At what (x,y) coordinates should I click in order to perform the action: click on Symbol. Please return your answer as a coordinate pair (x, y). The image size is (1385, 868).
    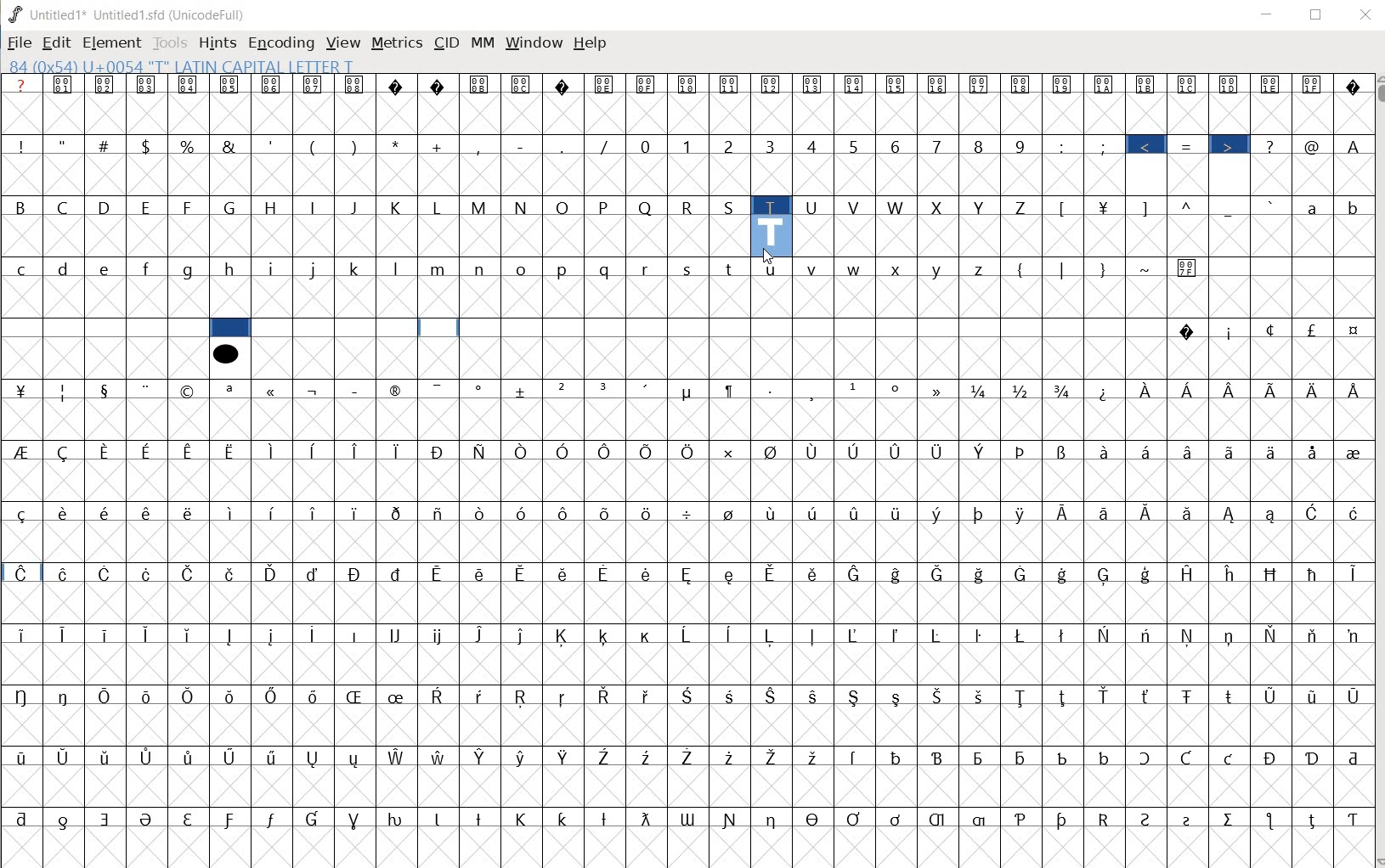
    Looking at the image, I should click on (939, 759).